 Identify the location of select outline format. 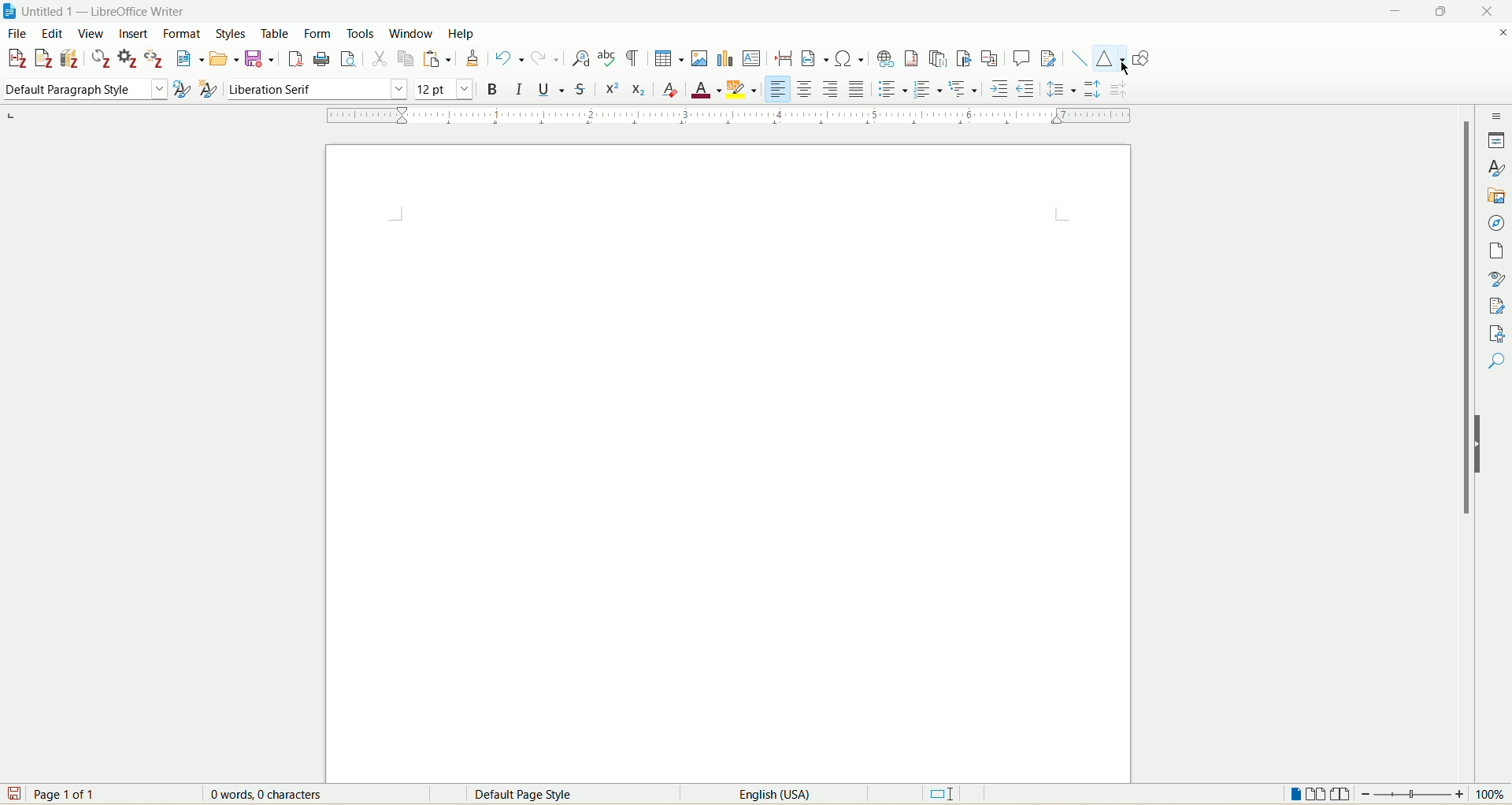
(962, 90).